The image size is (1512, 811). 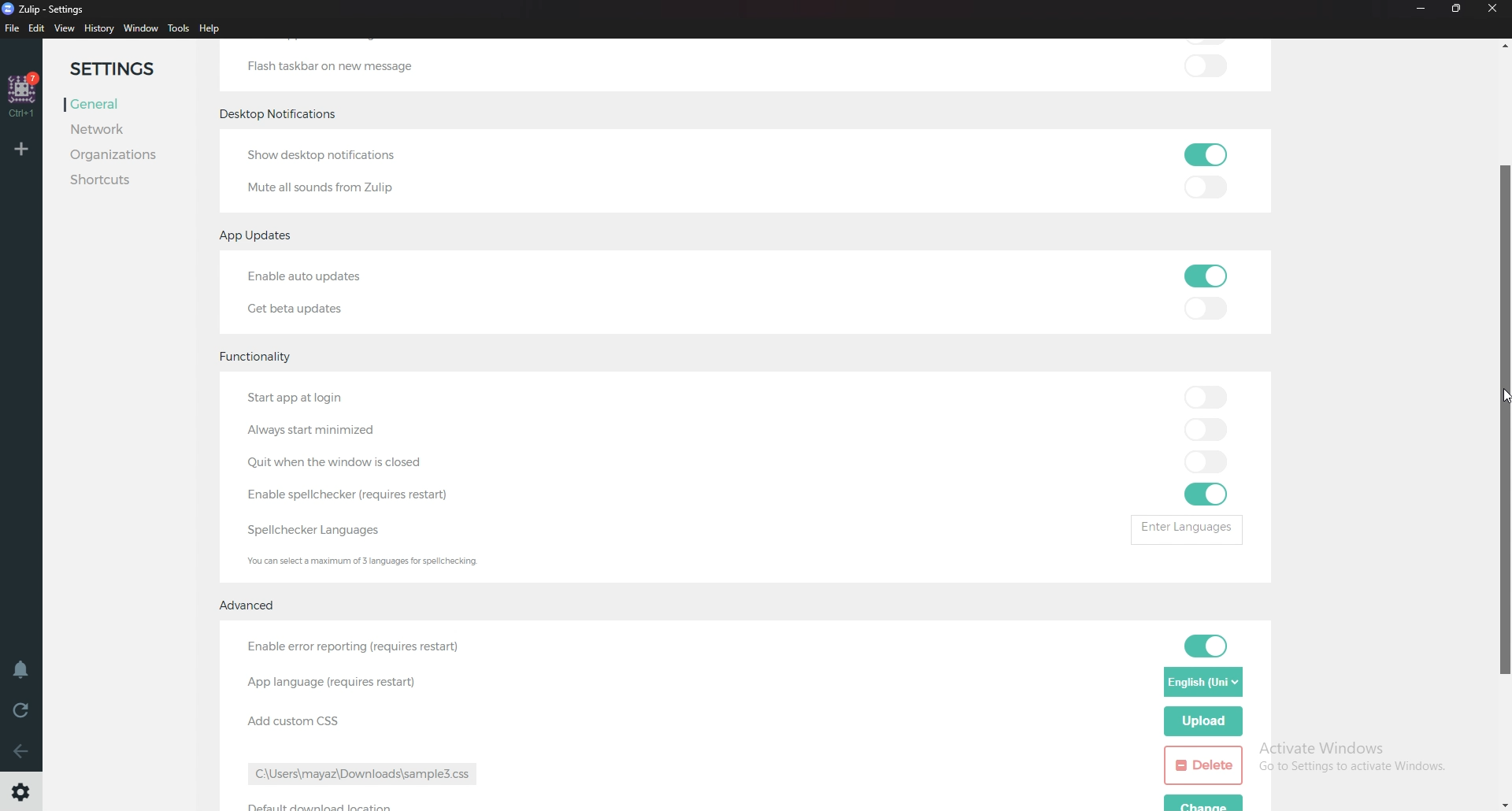 What do you see at coordinates (1499, 396) in the screenshot?
I see `cursor` at bounding box center [1499, 396].